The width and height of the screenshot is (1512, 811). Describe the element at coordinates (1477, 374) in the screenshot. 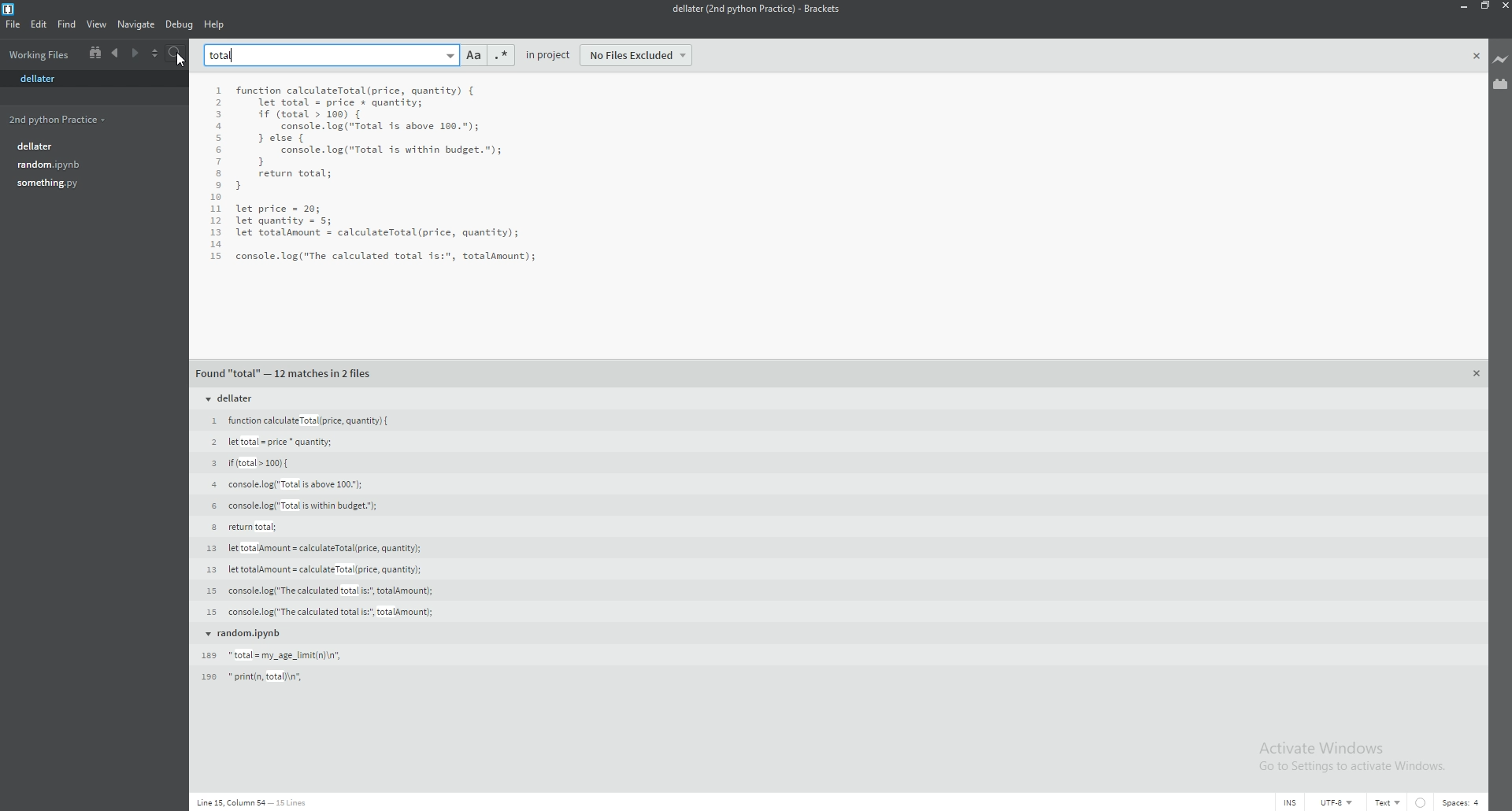

I see `close` at that location.